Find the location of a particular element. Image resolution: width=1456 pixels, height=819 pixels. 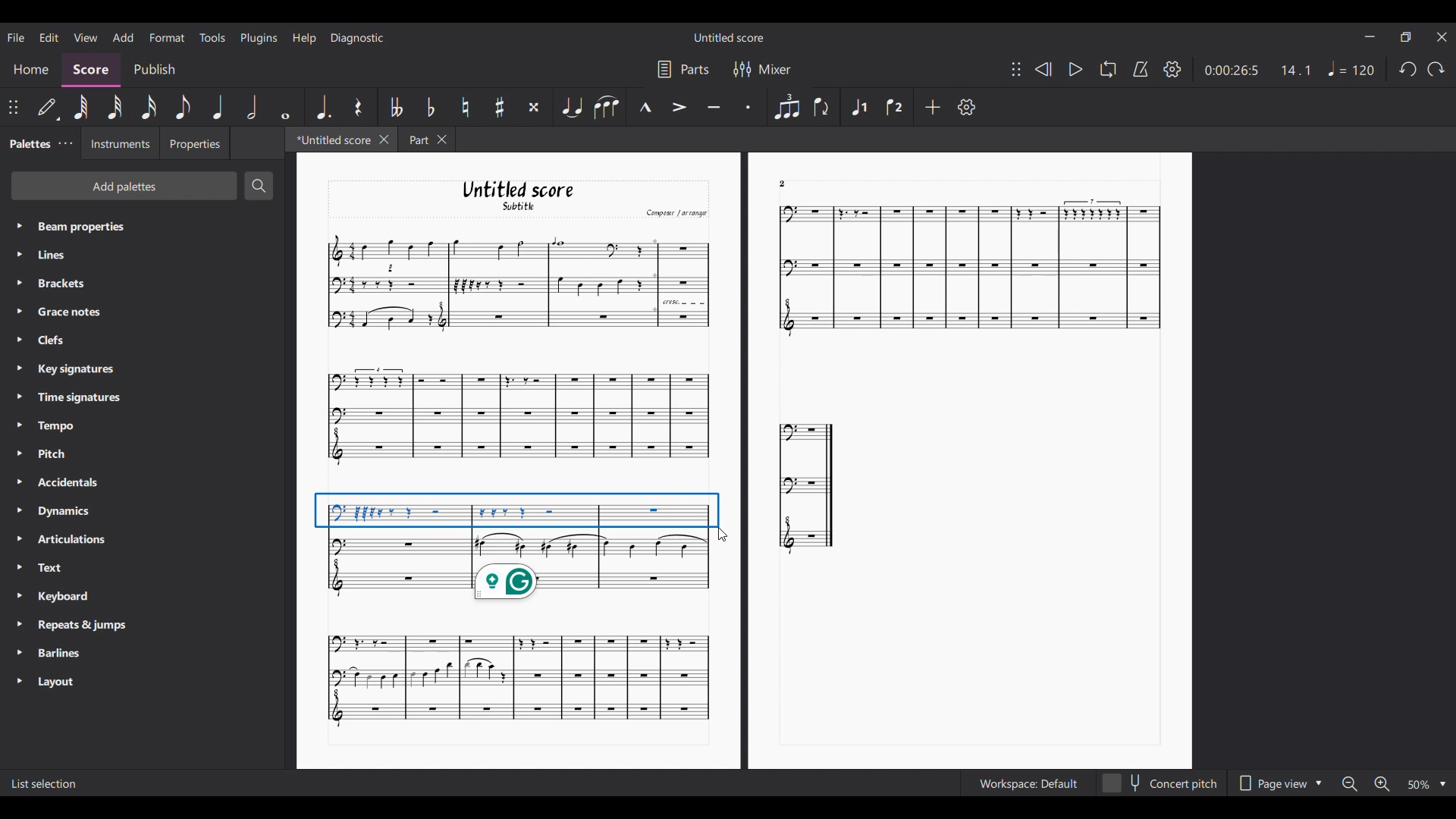

Publish  is located at coordinates (155, 71).